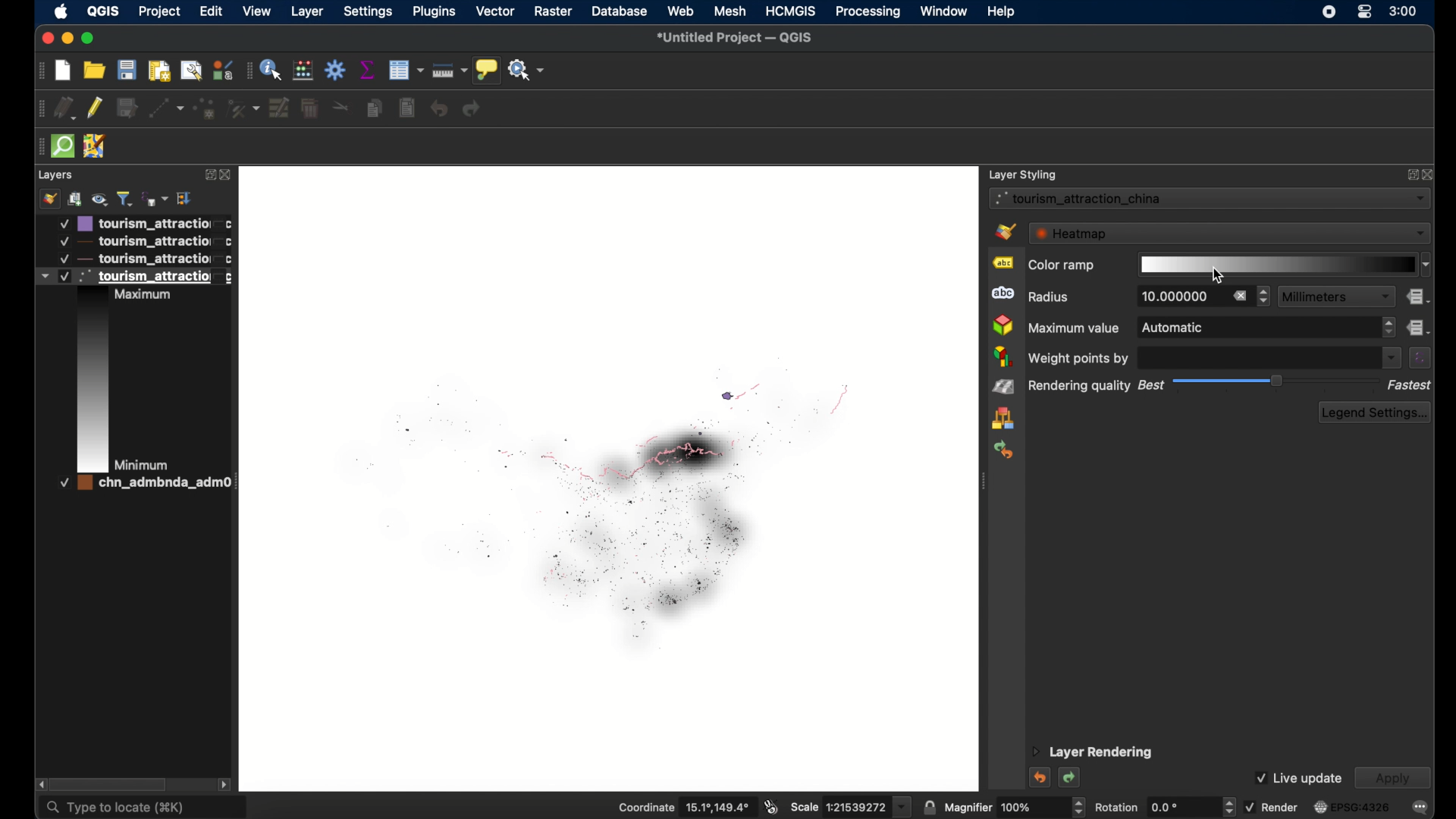  What do you see at coordinates (1163, 806) in the screenshot?
I see `rotation` at bounding box center [1163, 806].